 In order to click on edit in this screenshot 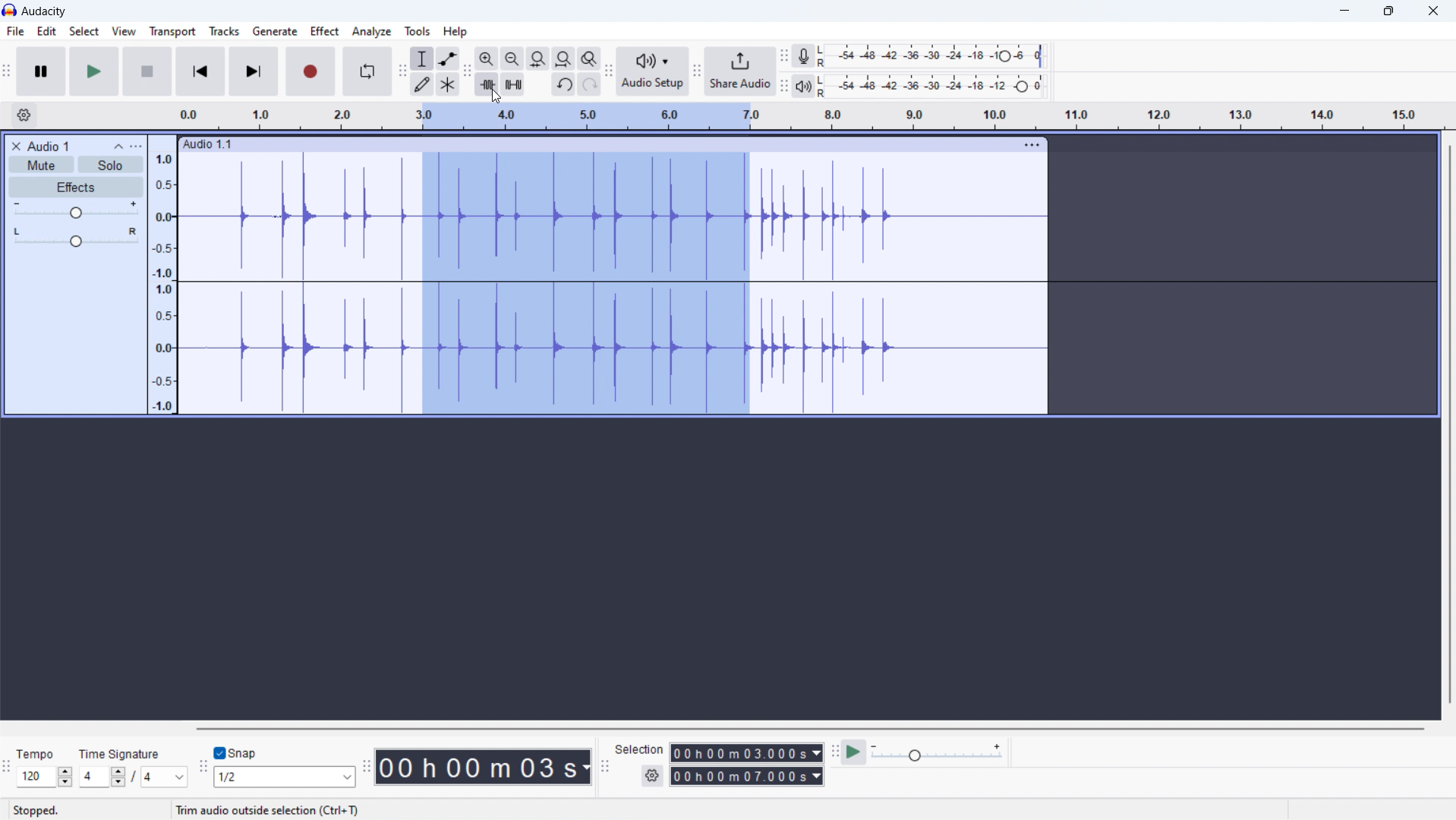, I will do `click(46, 31)`.